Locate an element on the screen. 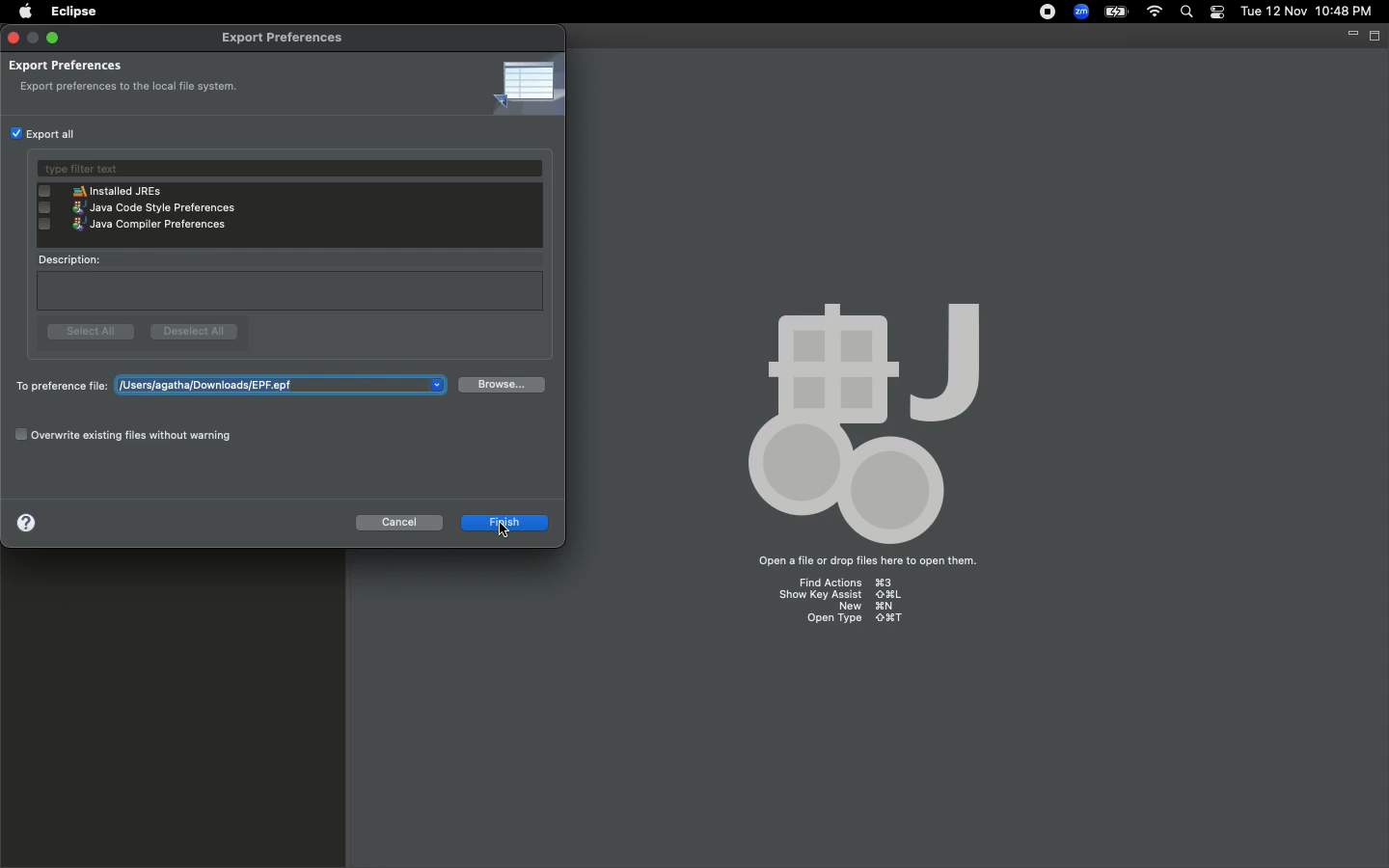 This screenshot has height=868, width=1389. Type filter text is located at coordinates (289, 169).